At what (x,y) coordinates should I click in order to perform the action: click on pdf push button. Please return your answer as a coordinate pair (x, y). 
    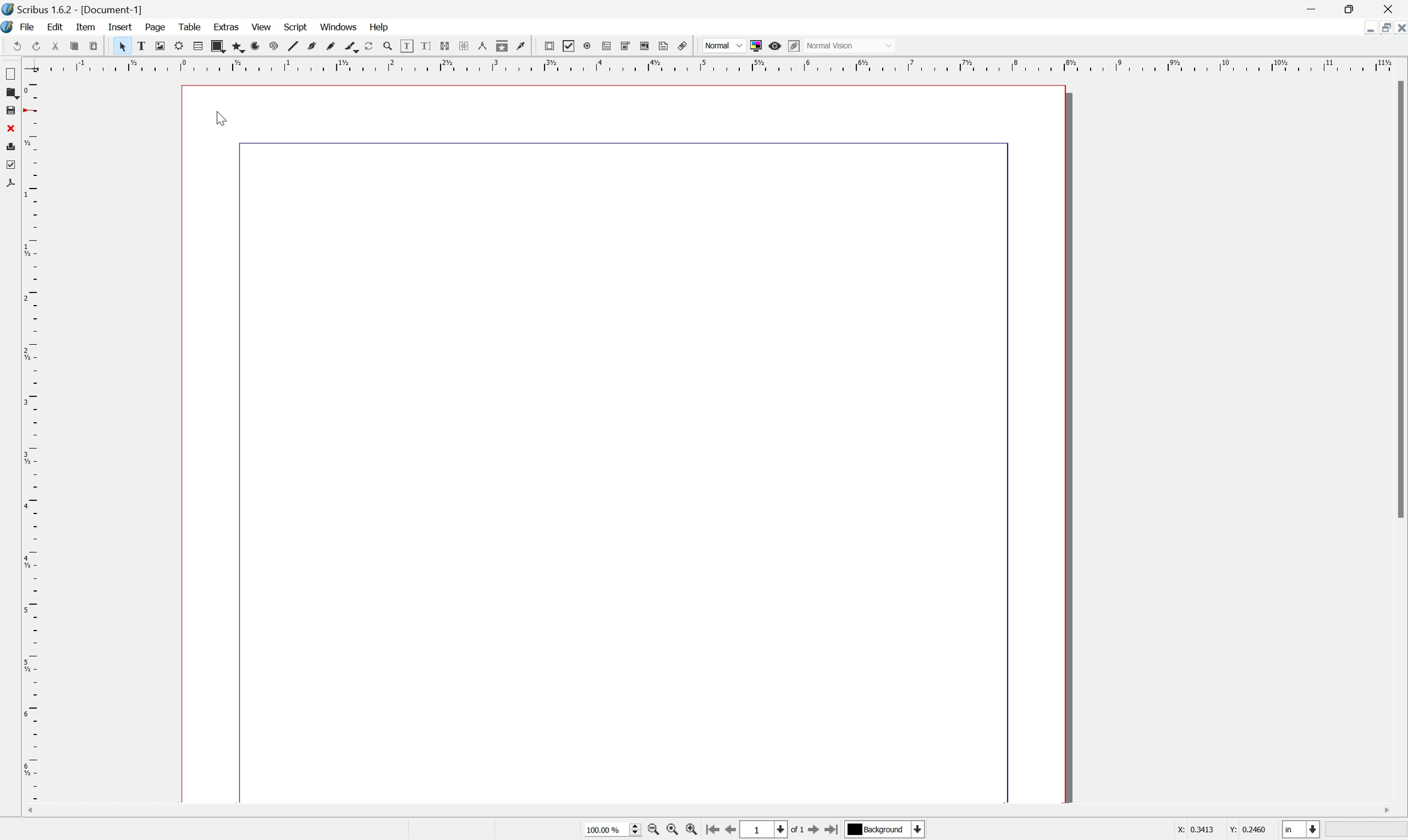
    Looking at the image, I should click on (682, 45).